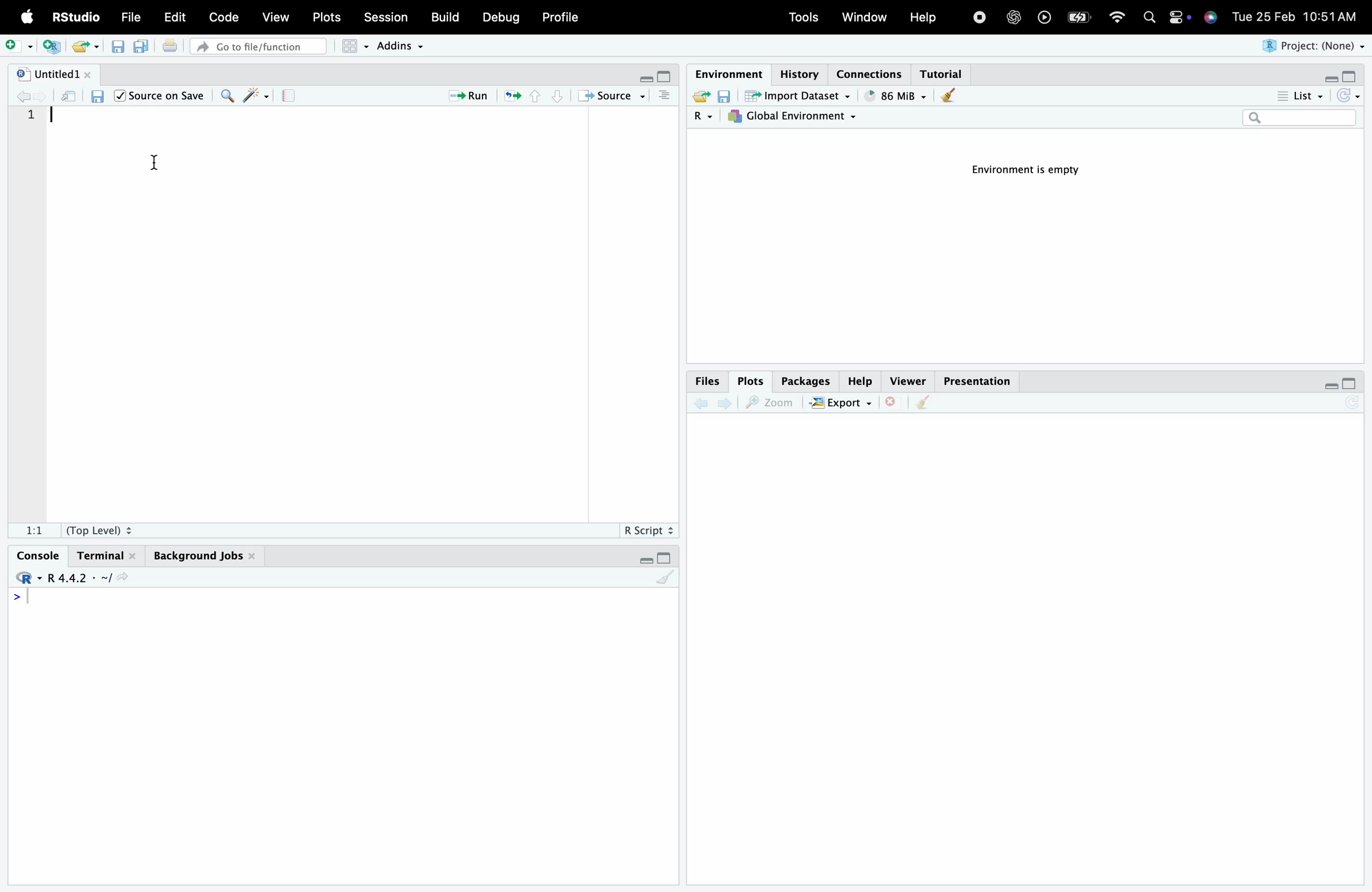  I want to click on open AI, so click(1015, 22).